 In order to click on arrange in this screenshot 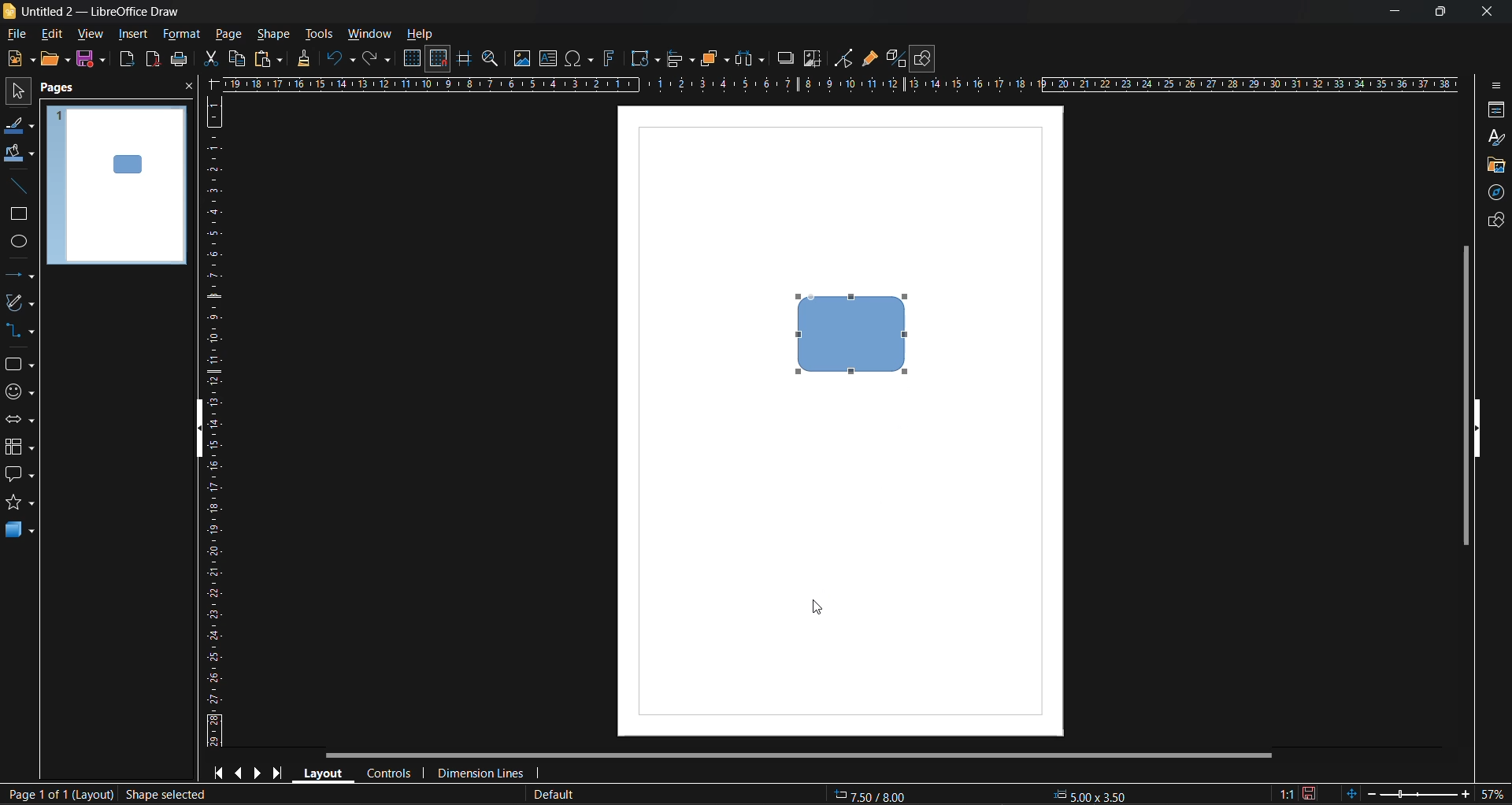, I will do `click(715, 58)`.